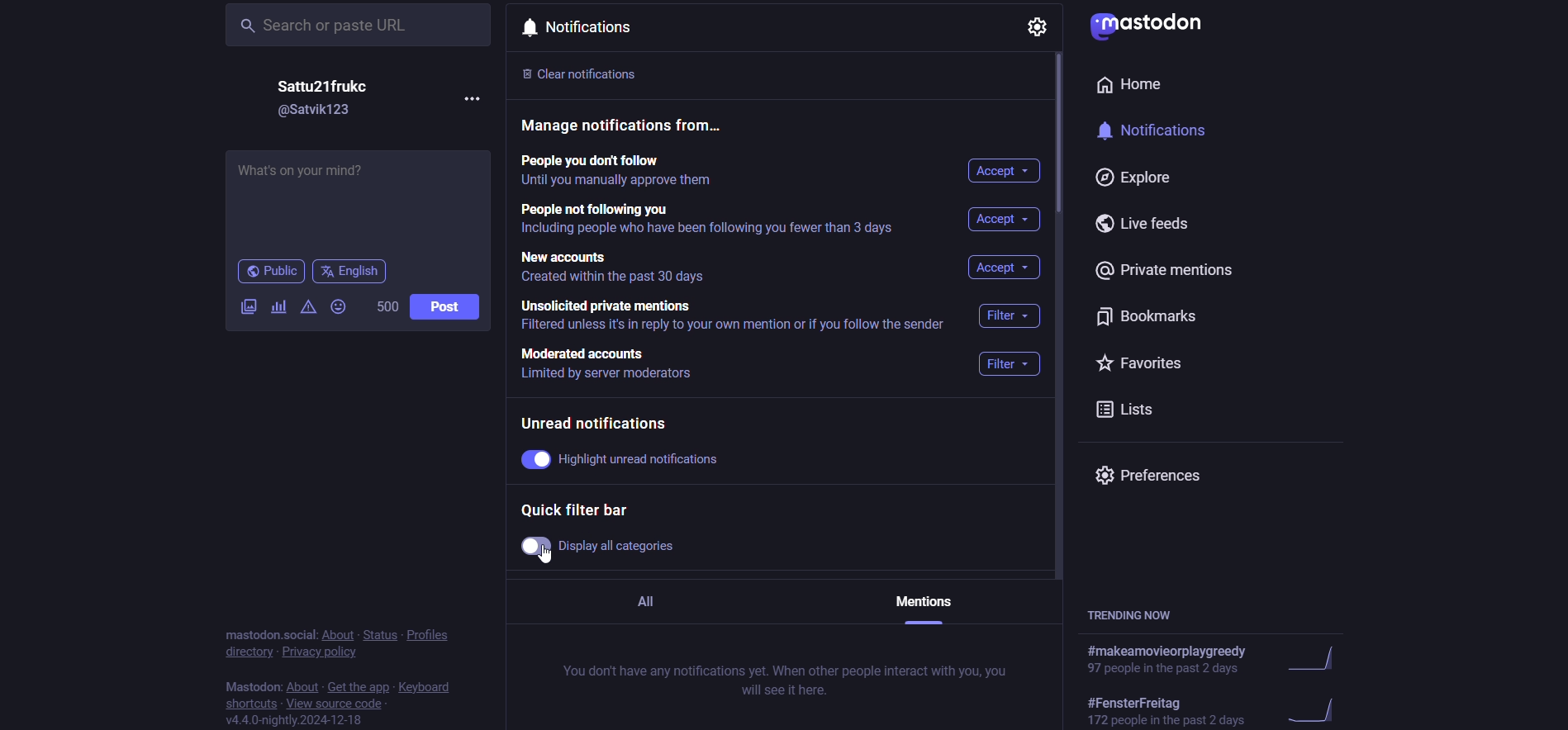  What do you see at coordinates (1152, 318) in the screenshot?
I see `Bookmarks` at bounding box center [1152, 318].